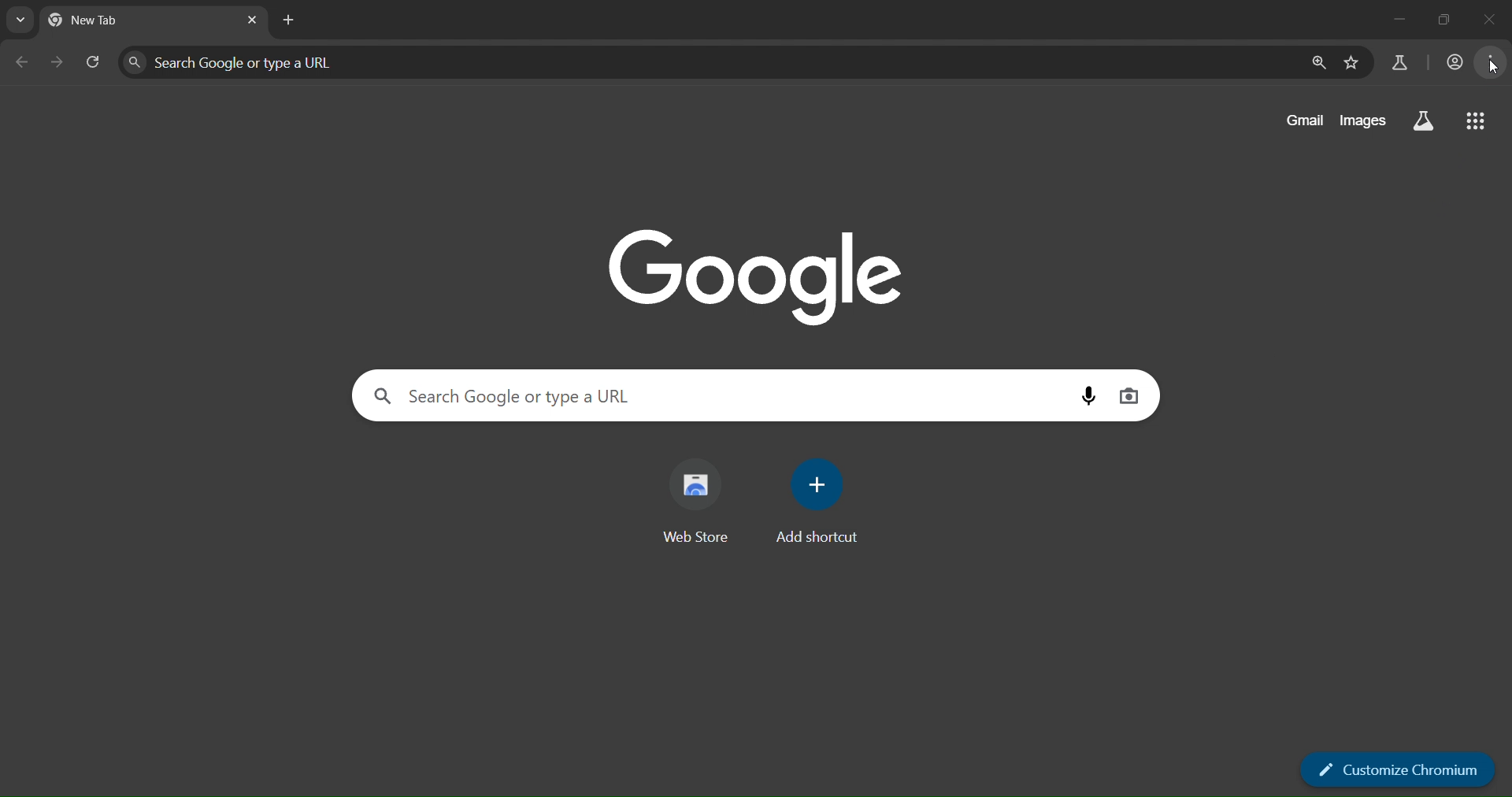 This screenshot has height=797, width=1512. Describe the element at coordinates (20, 21) in the screenshot. I see `search tabs` at that location.